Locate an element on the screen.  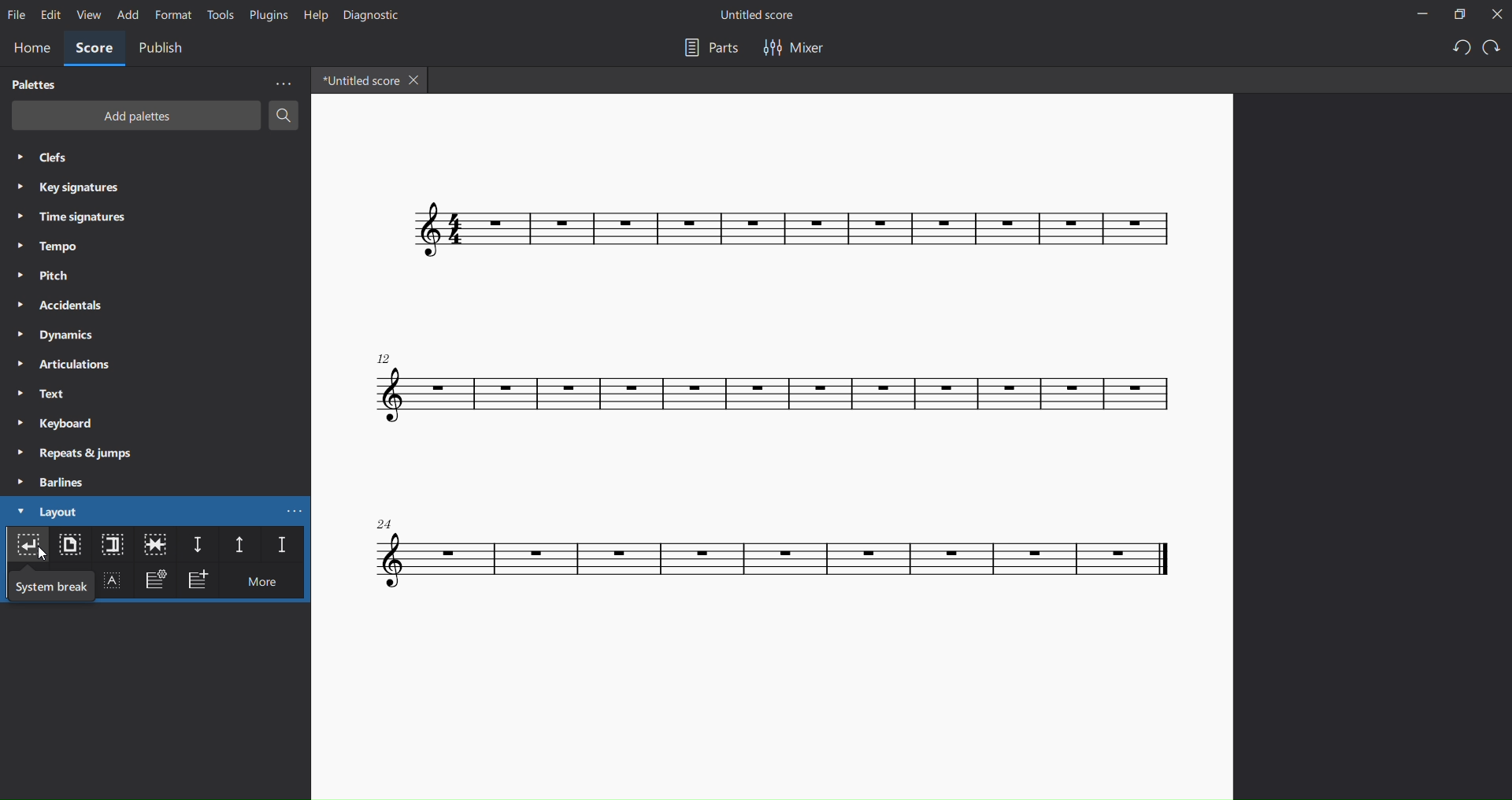
edit is located at coordinates (50, 15).